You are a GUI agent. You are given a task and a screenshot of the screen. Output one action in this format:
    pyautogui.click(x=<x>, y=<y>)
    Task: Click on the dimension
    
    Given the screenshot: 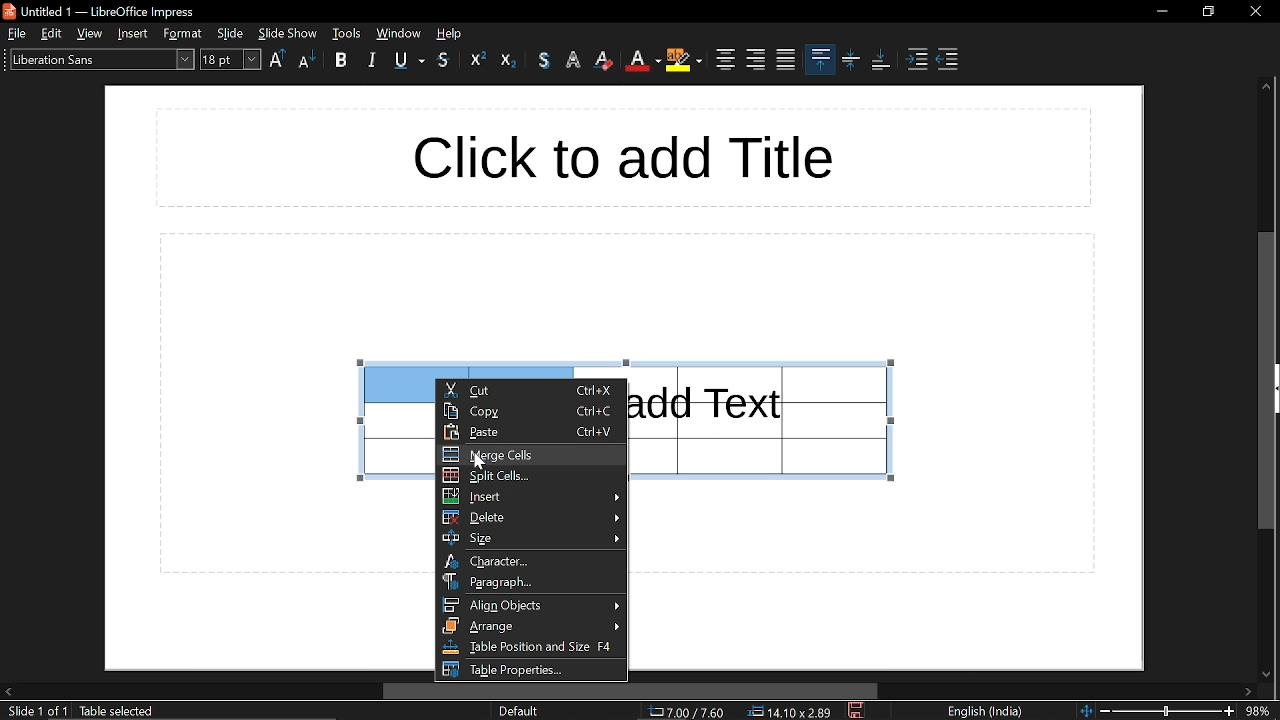 What is the action you would take?
    pyautogui.click(x=790, y=712)
    